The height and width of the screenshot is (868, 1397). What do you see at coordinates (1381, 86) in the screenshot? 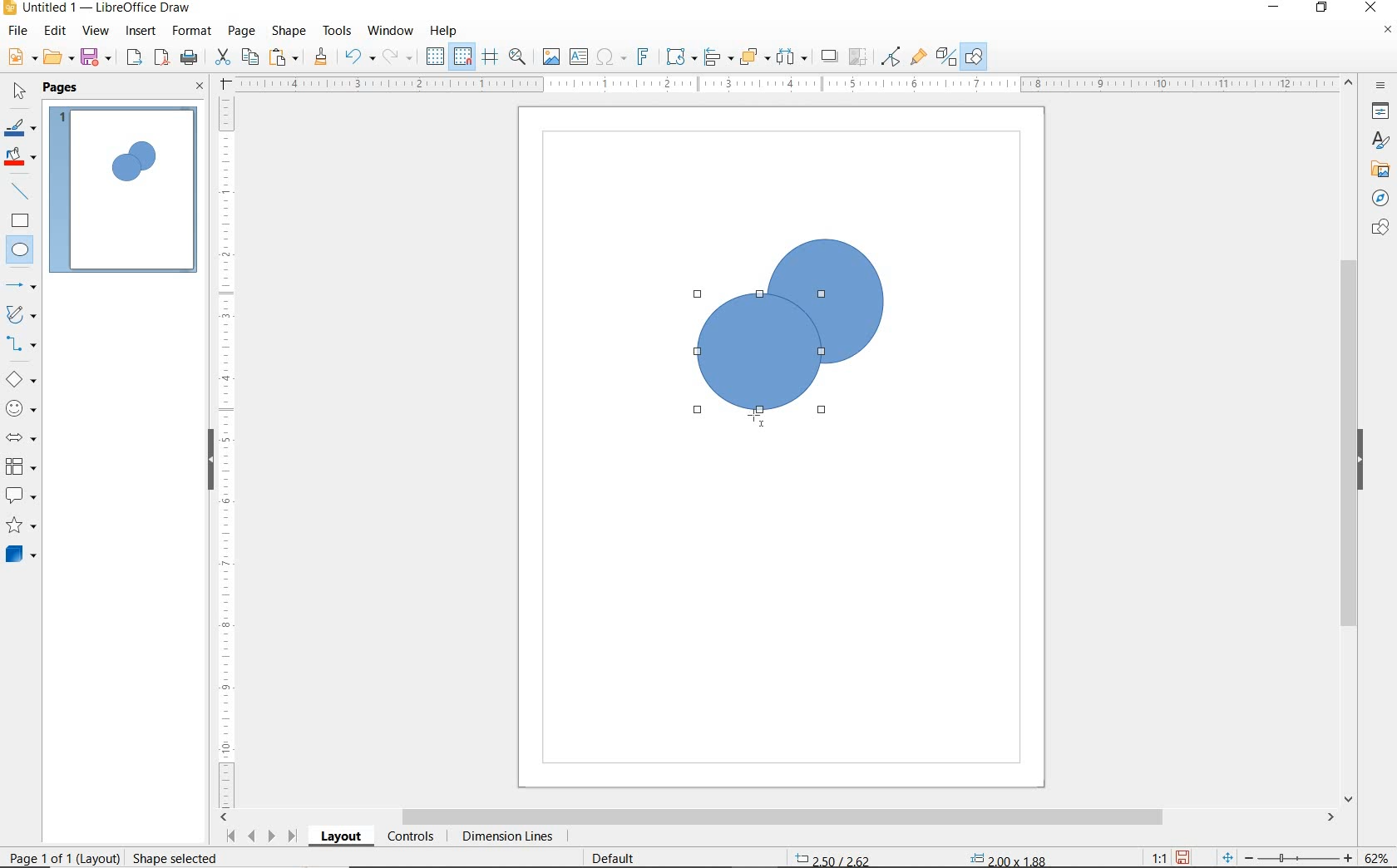
I see `SIDEBAR SETTINGS` at bounding box center [1381, 86].